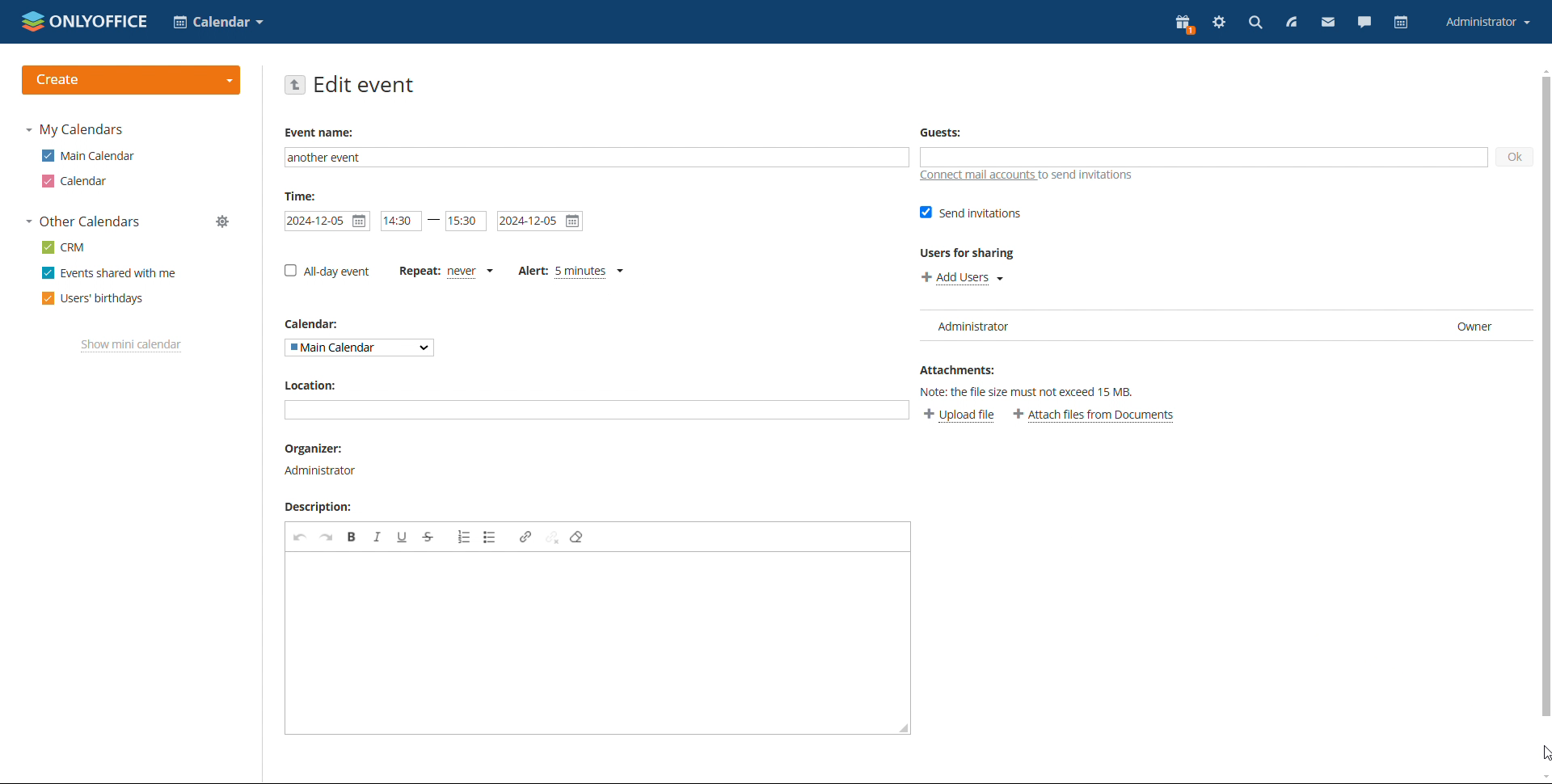  What do you see at coordinates (1027, 175) in the screenshot?
I see `connect mail accounts to send inviattion` at bounding box center [1027, 175].